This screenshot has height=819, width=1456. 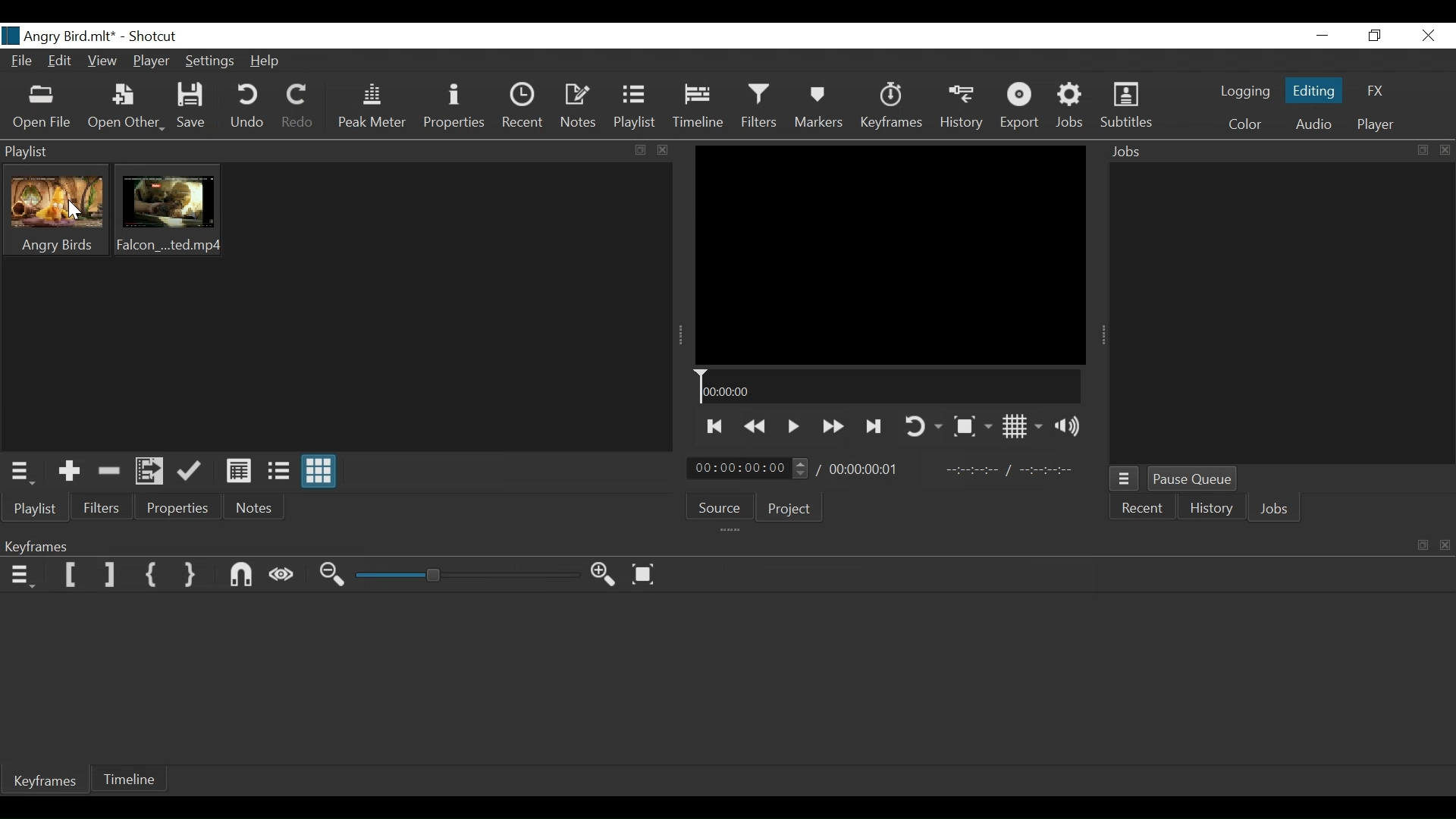 What do you see at coordinates (152, 576) in the screenshot?
I see `Set First Simple keyframe` at bounding box center [152, 576].